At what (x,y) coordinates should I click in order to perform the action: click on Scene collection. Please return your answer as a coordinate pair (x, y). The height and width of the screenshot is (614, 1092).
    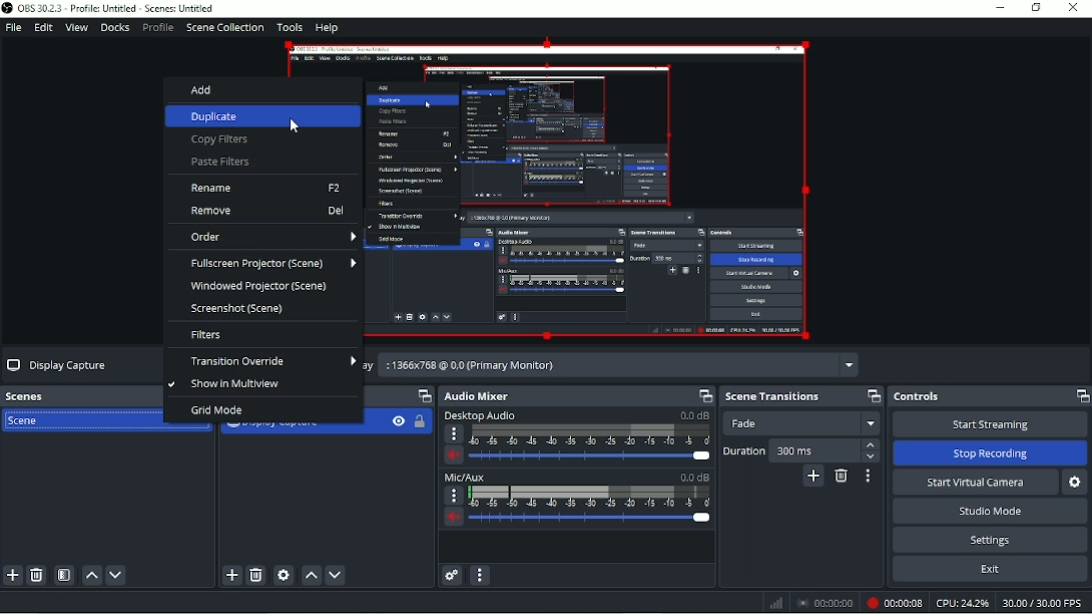
    Looking at the image, I should click on (226, 27).